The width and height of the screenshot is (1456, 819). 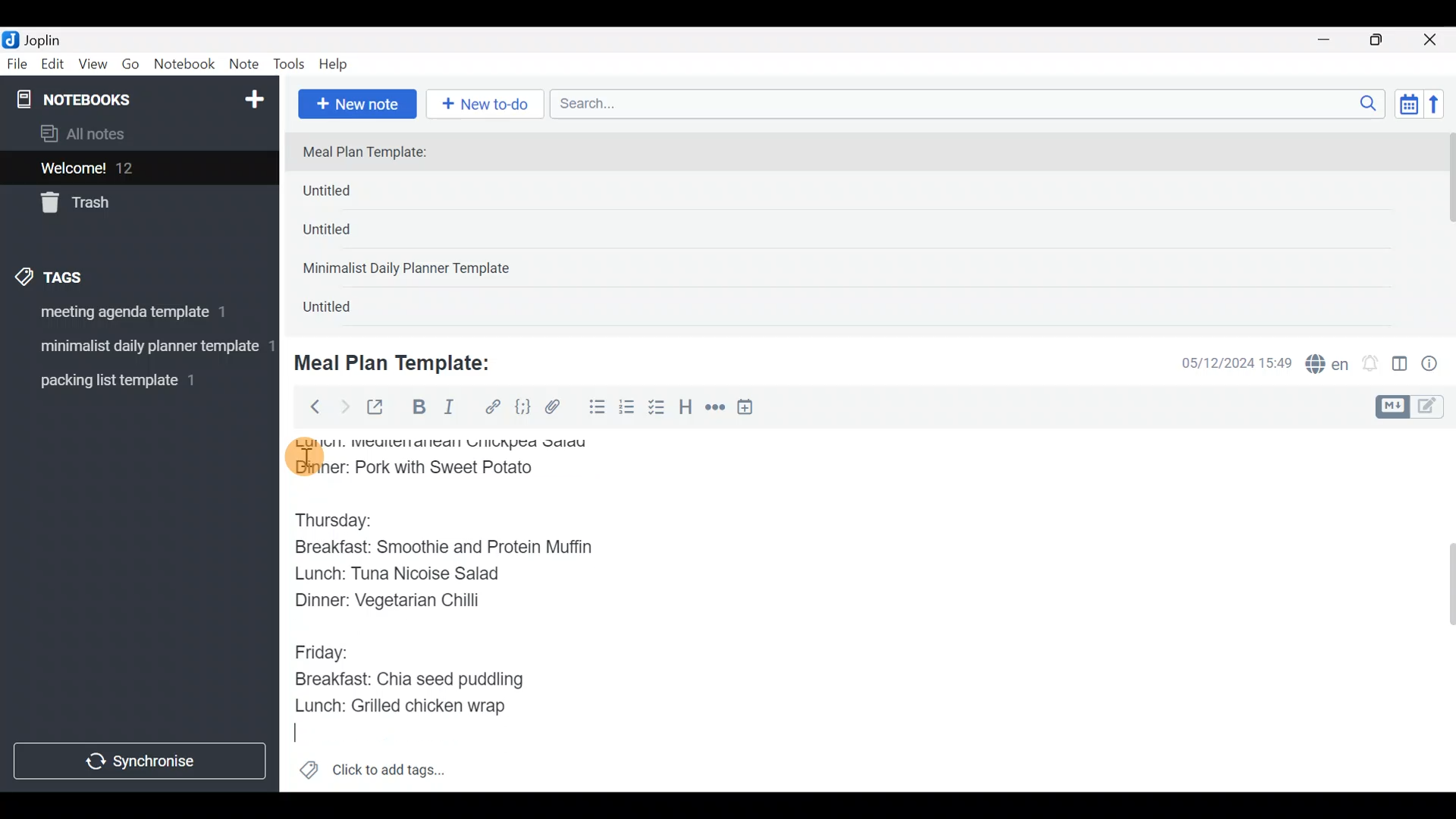 What do you see at coordinates (1371, 365) in the screenshot?
I see `Set alarm` at bounding box center [1371, 365].